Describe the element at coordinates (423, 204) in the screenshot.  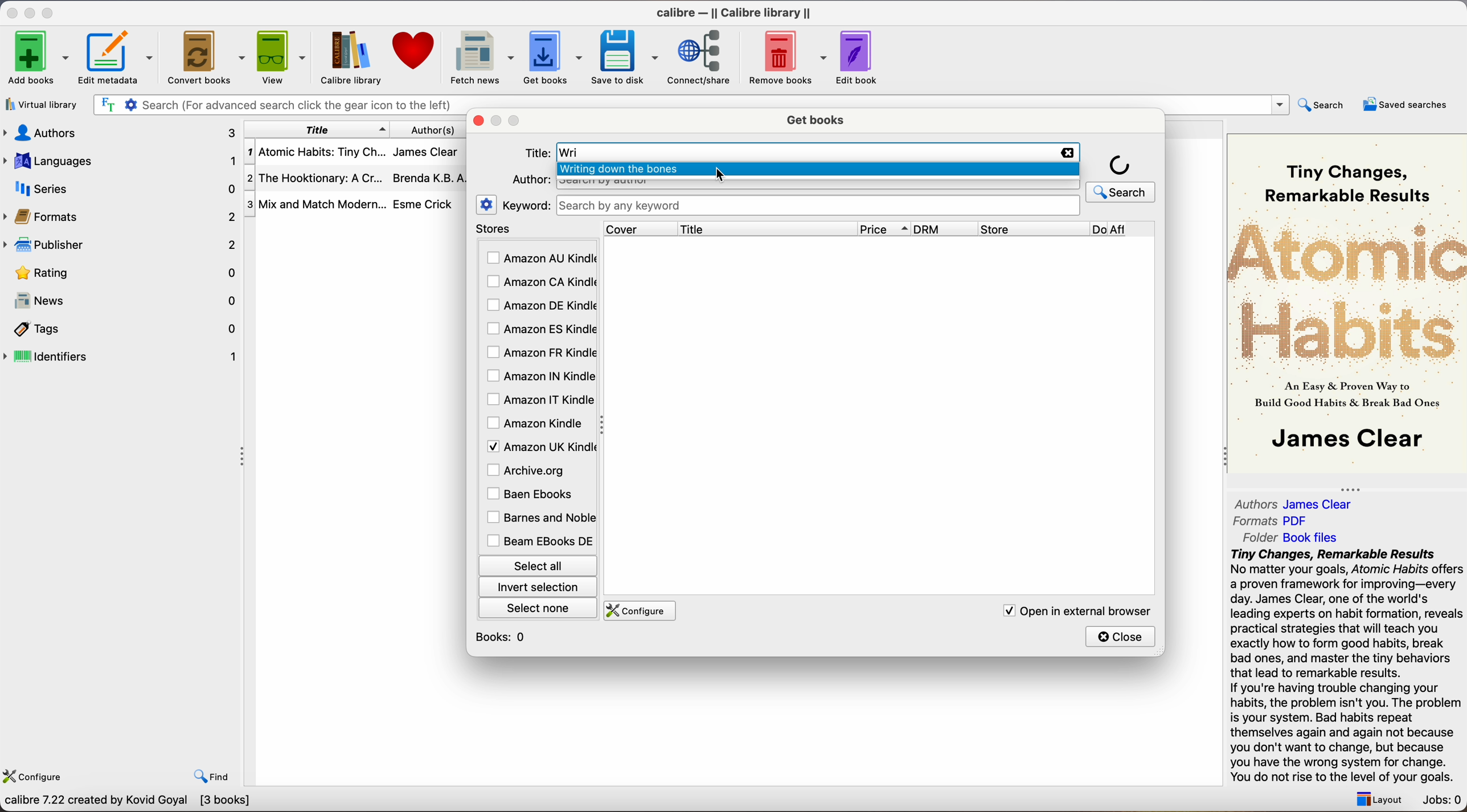
I see `Esme Crick` at that location.